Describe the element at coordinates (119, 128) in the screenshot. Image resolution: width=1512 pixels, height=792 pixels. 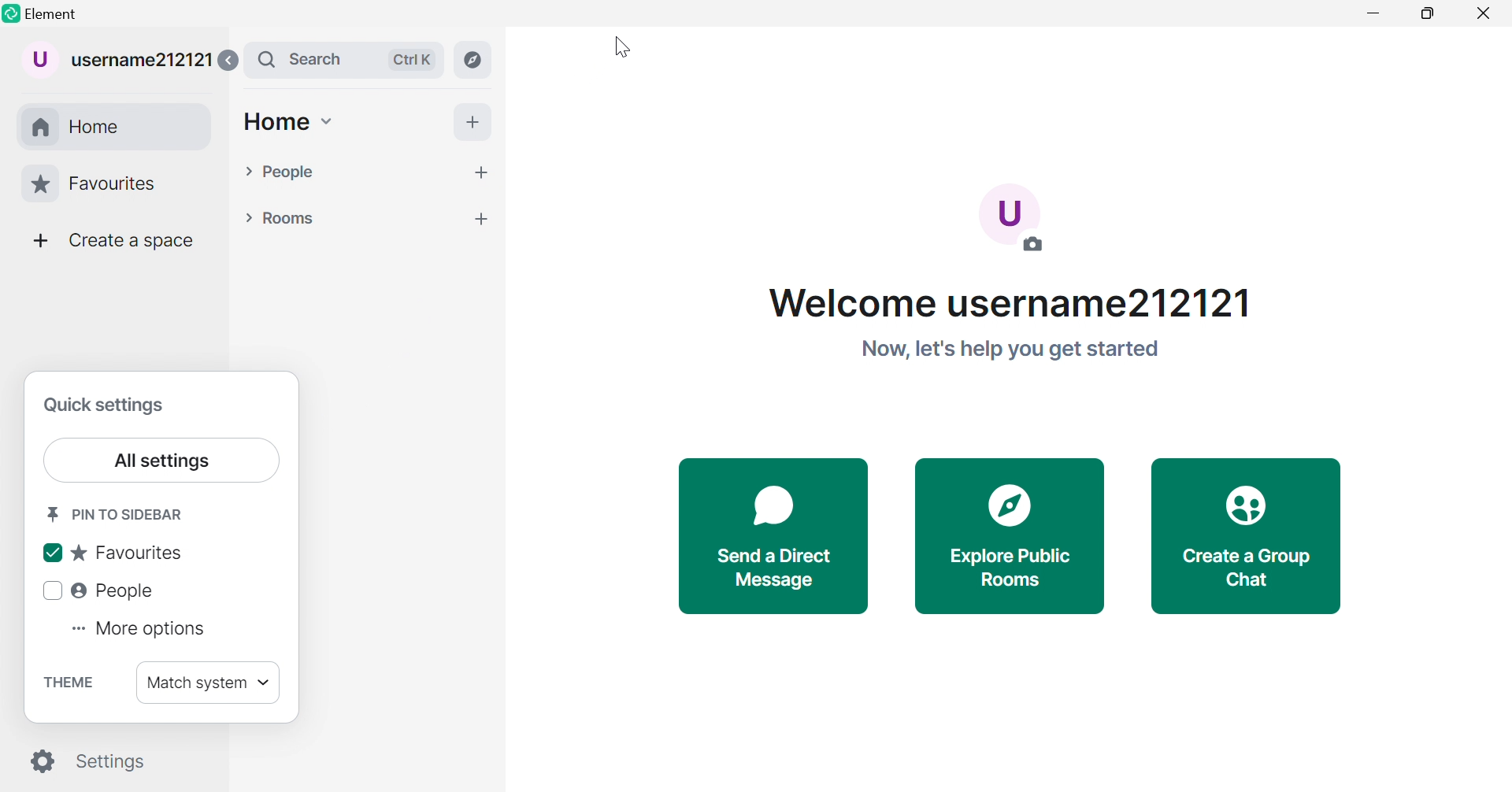
I see `Home` at that location.